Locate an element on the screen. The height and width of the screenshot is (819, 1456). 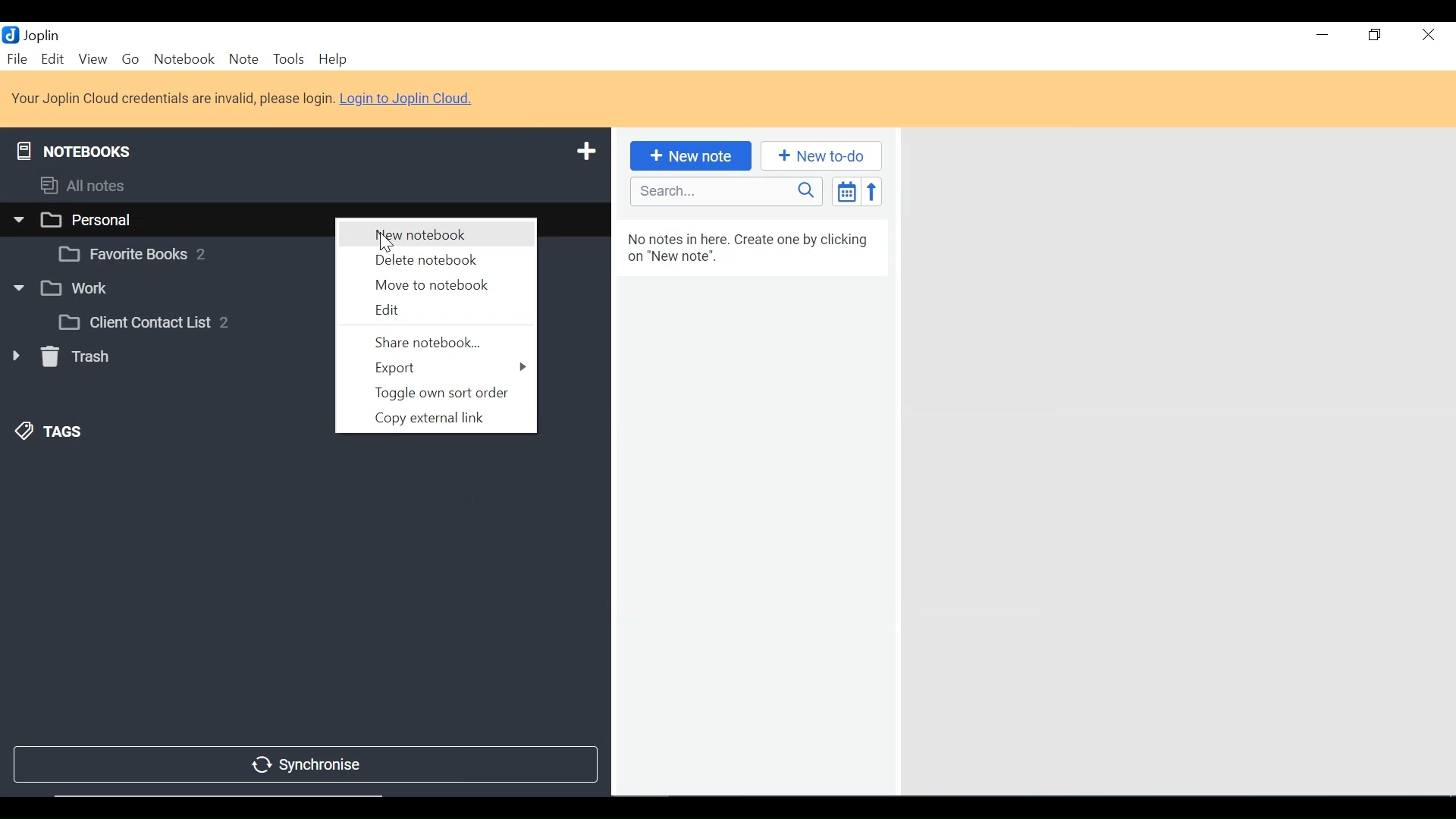
Edit is located at coordinates (438, 313).